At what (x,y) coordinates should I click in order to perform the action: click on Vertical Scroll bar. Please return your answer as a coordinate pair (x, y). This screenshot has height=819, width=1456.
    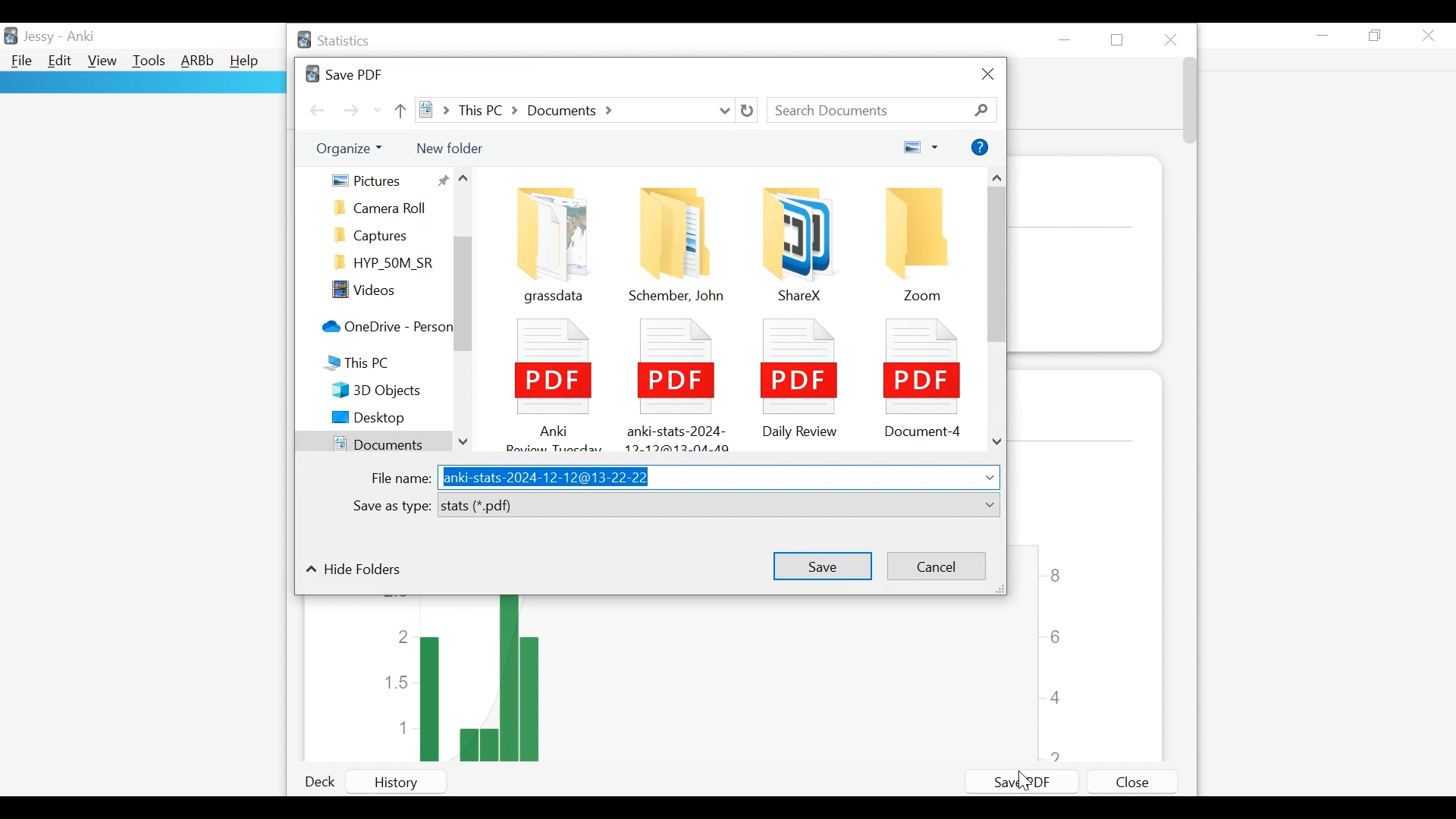
    Looking at the image, I should click on (1188, 103).